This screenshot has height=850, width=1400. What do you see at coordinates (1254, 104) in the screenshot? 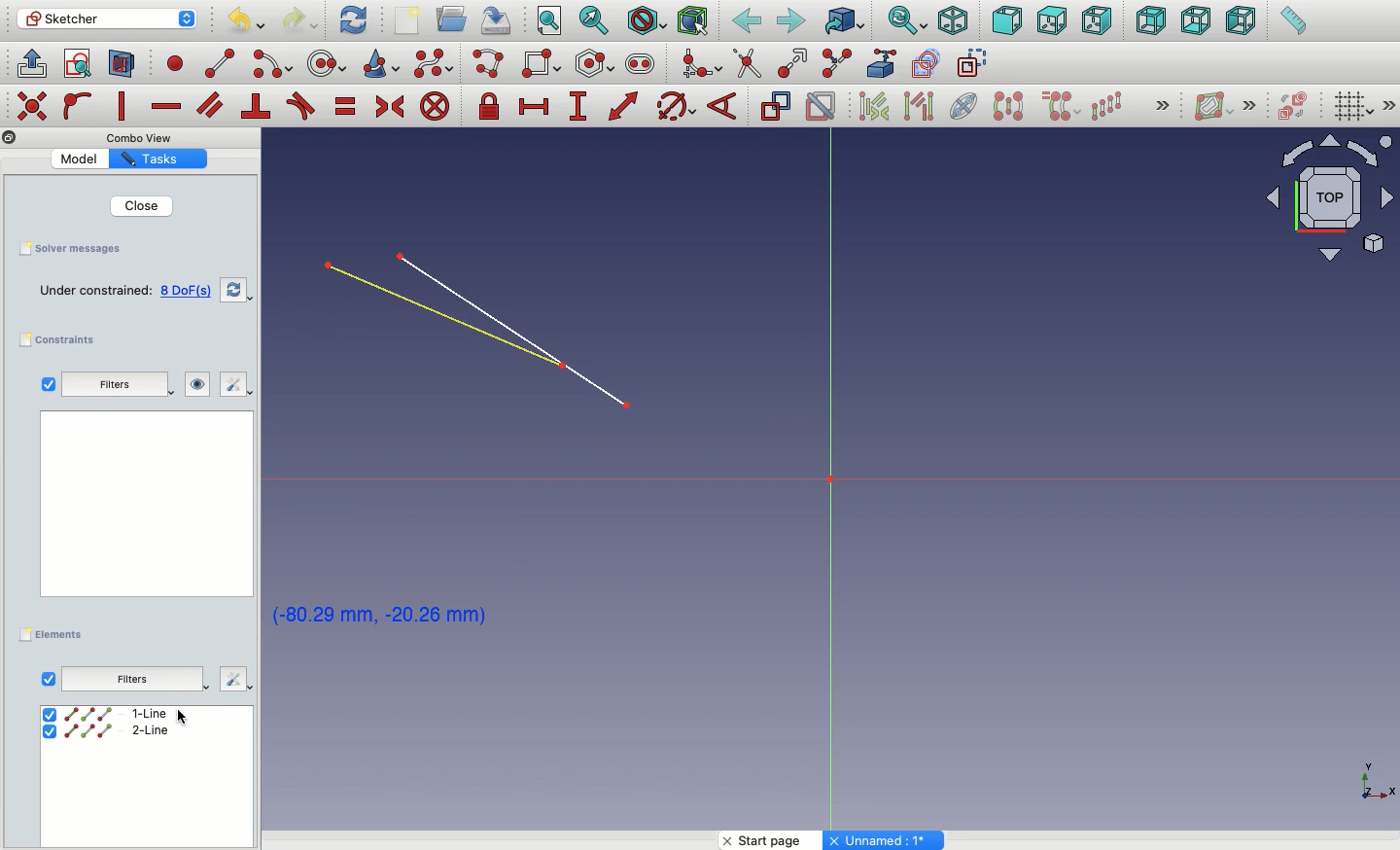
I see `` at bounding box center [1254, 104].